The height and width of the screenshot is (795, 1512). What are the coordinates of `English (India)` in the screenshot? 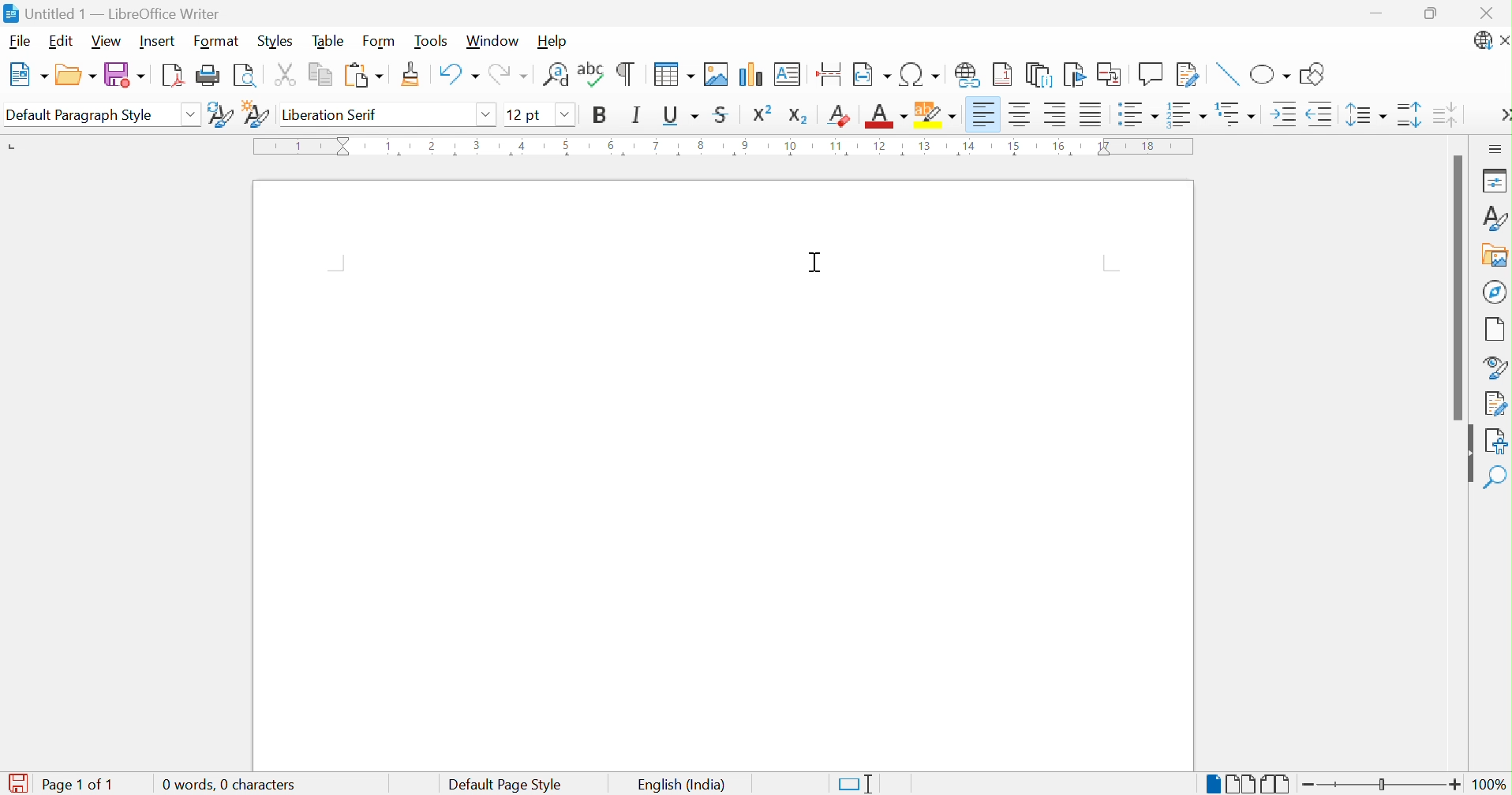 It's located at (683, 784).